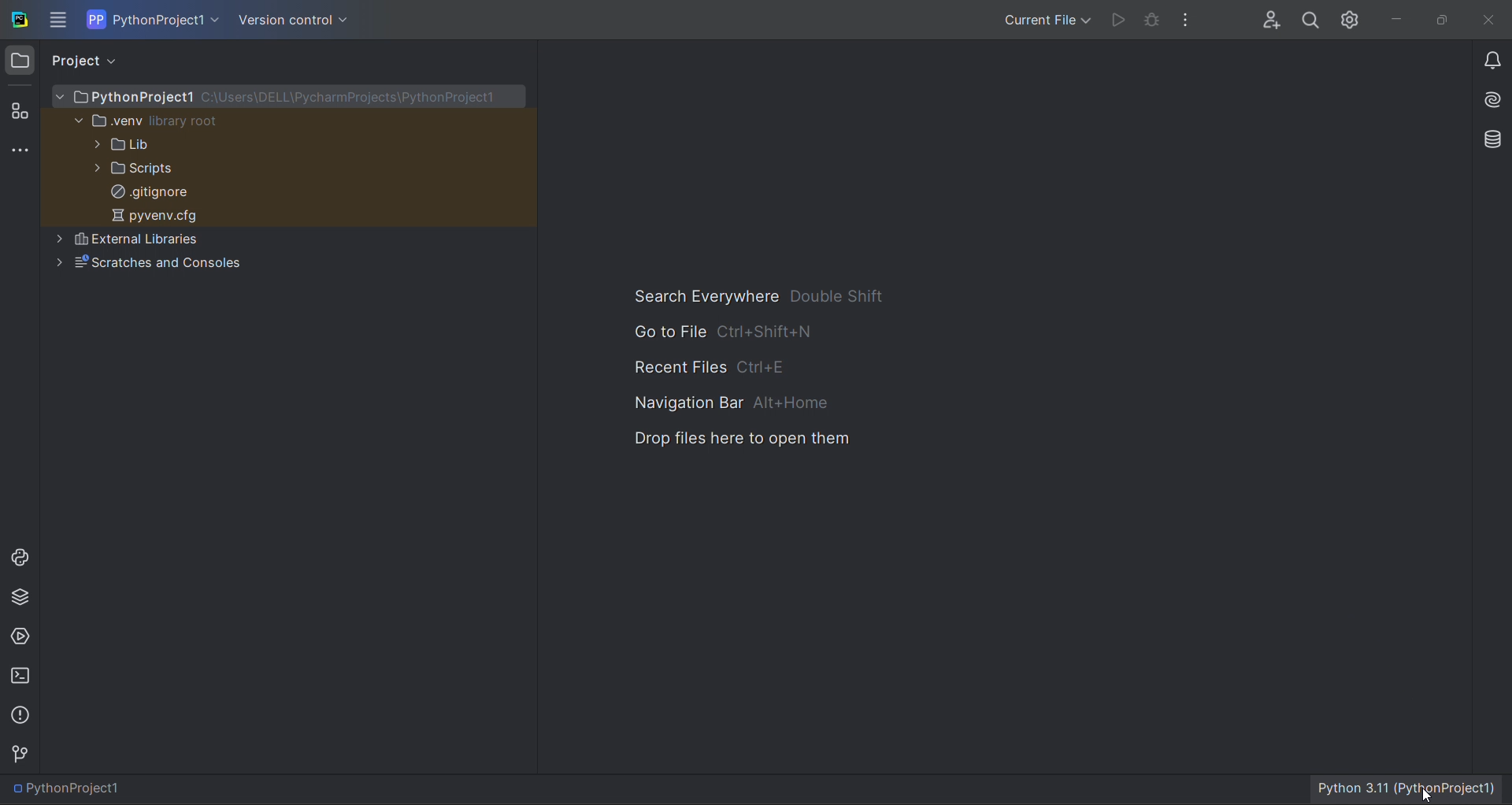 The image size is (1512, 805). I want to click on notifications, so click(1492, 63).